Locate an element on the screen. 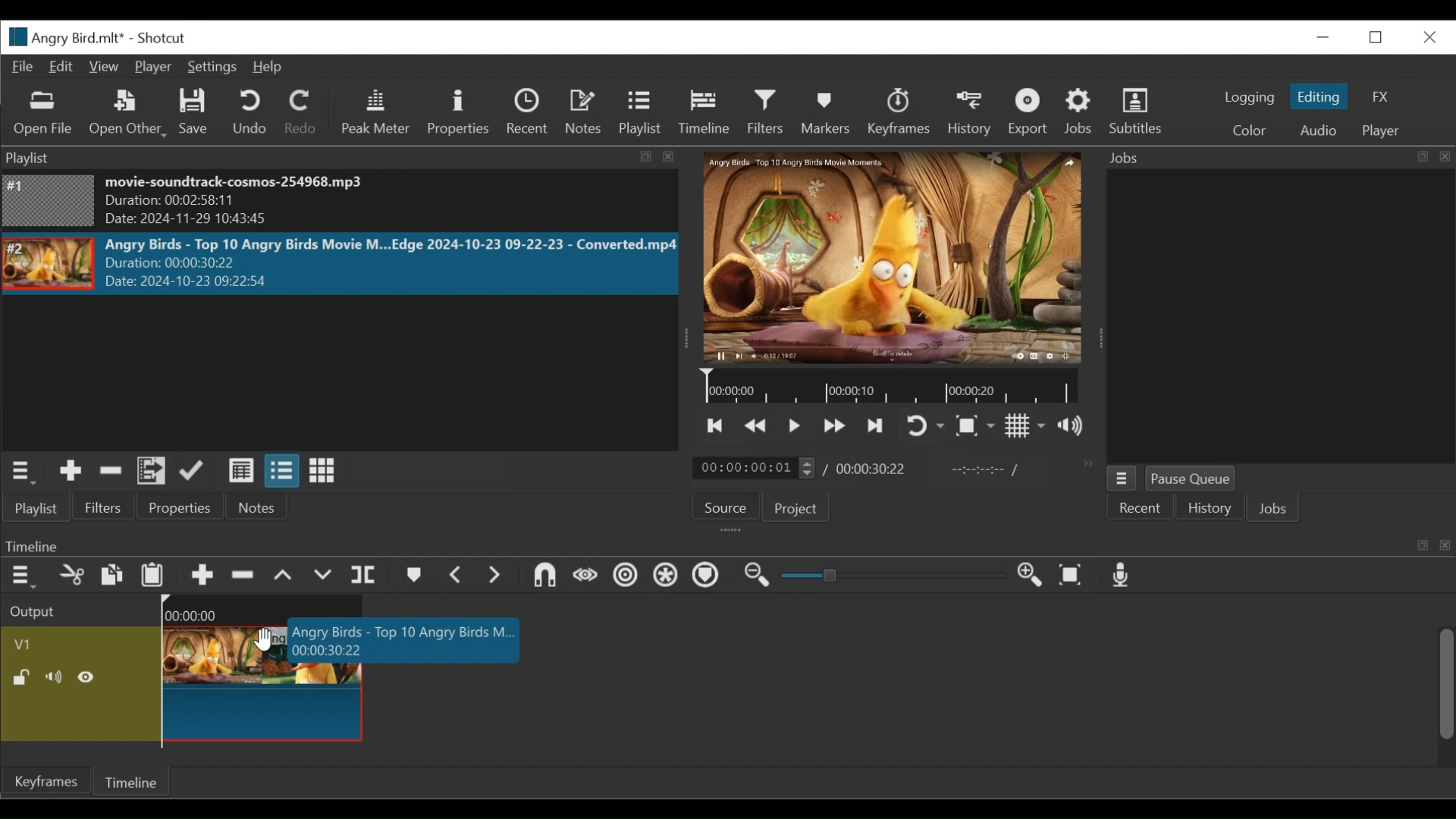 This screenshot has height=819, width=1456. Toggle Zoom is located at coordinates (977, 427).